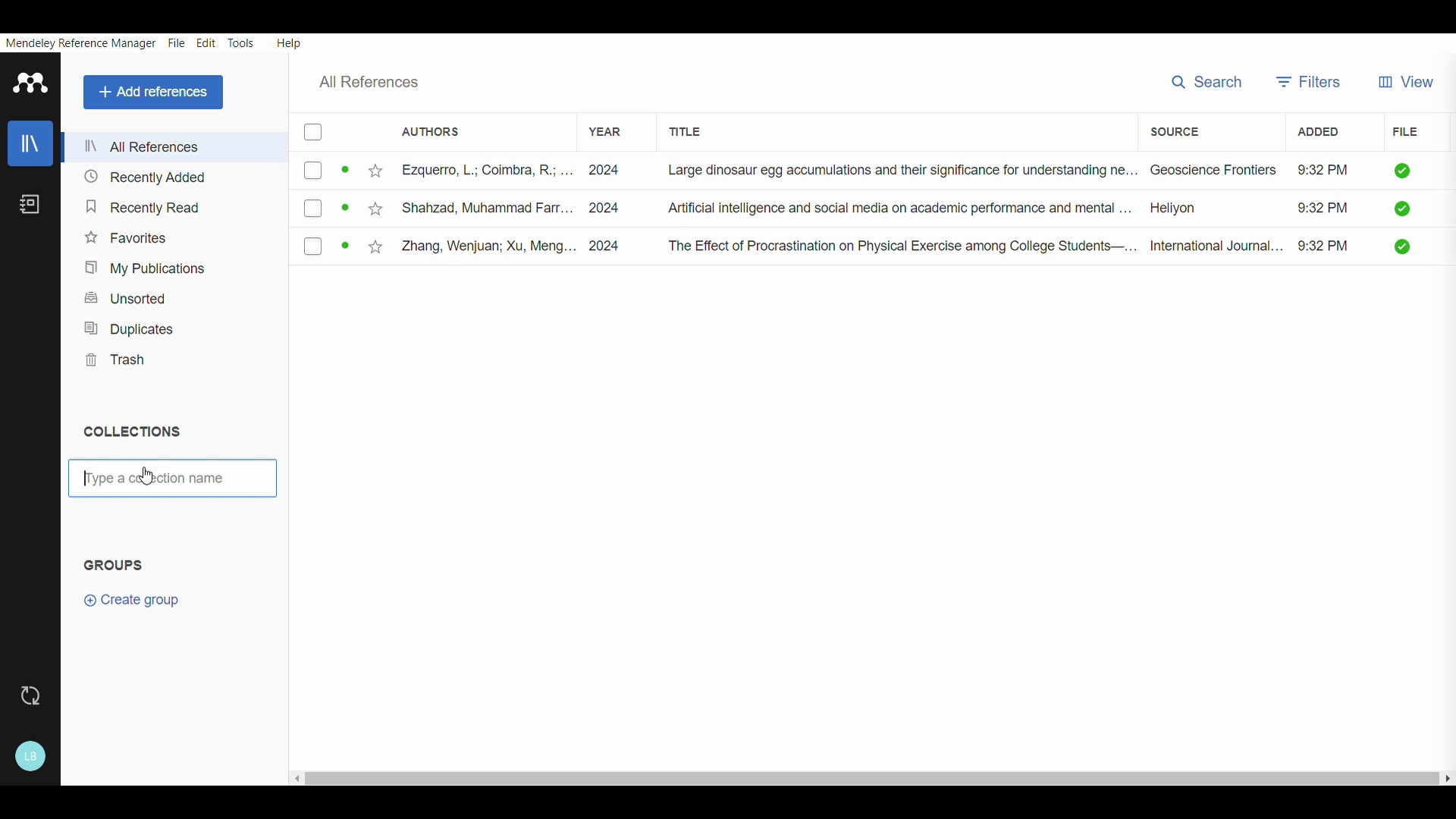 This screenshot has height=819, width=1456. What do you see at coordinates (1034, 211) in the screenshot?
I see `Artificial intelligence and social media on academic performance and mental ...  Heliyon 9:32 PM Q` at bounding box center [1034, 211].